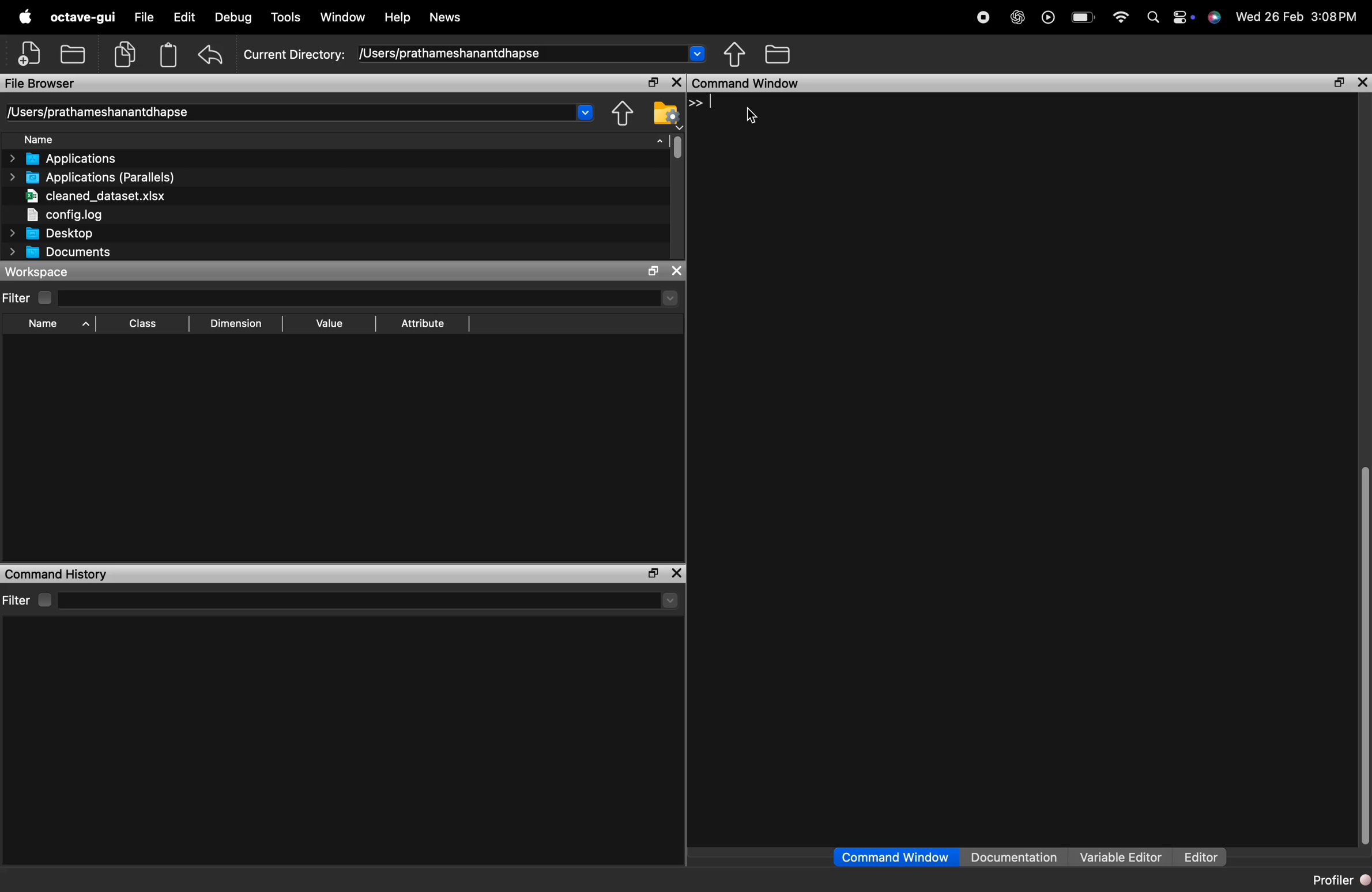 The image size is (1372, 892). What do you see at coordinates (55, 325) in the screenshot?
I see `Name ` at bounding box center [55, 325].